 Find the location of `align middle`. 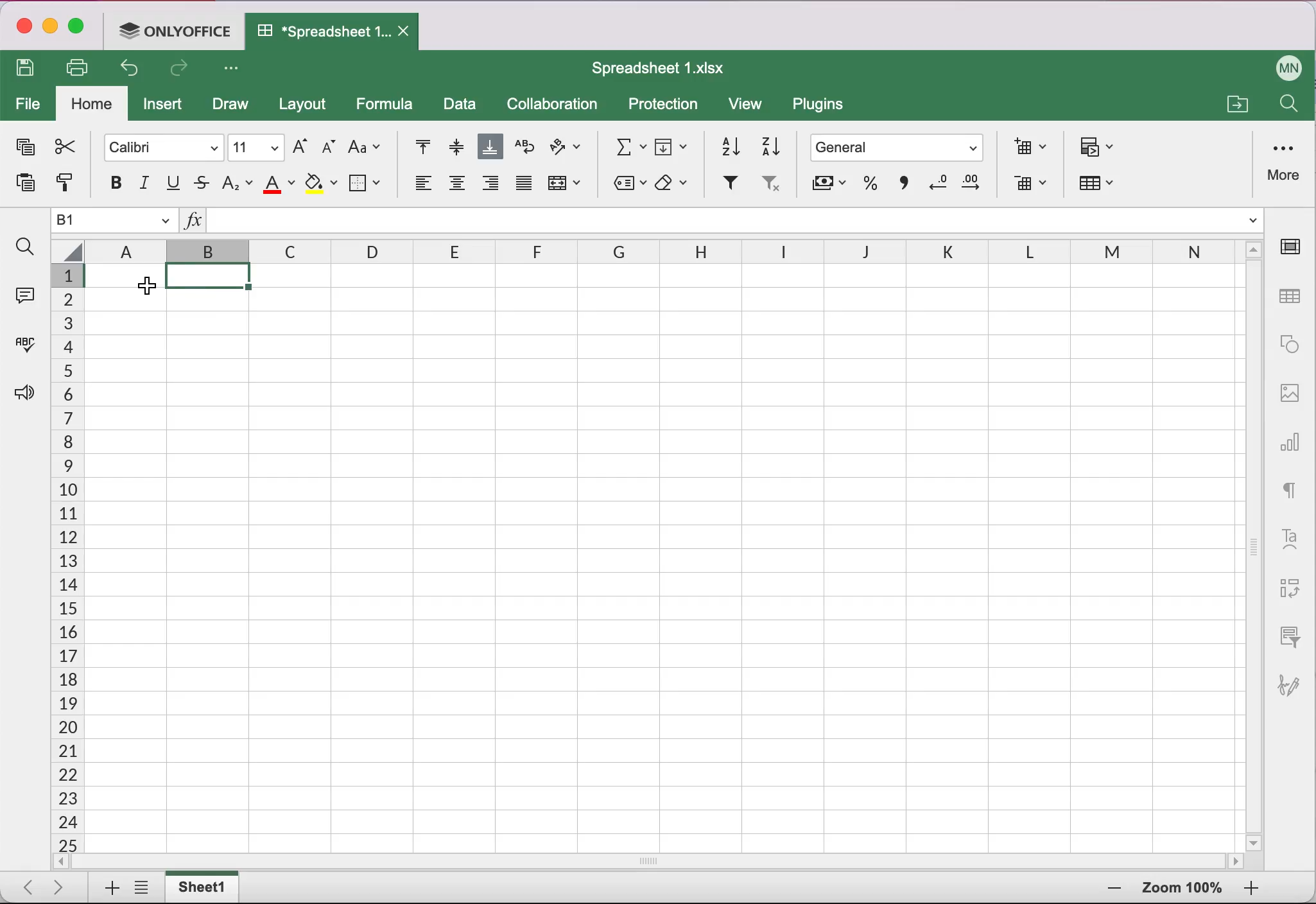

align middle is located at coordinates (454, 146).